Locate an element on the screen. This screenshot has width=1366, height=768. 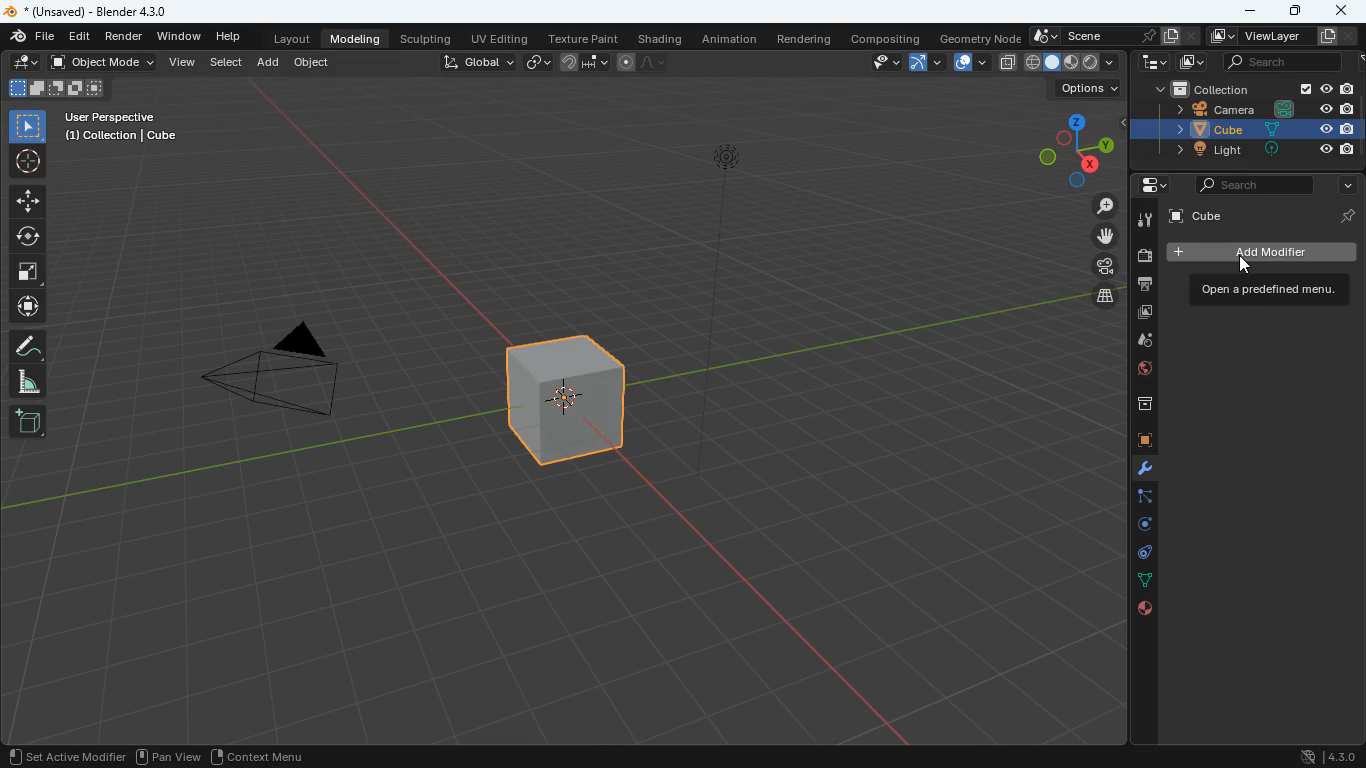
cube is located at coordinates (1259, 214).